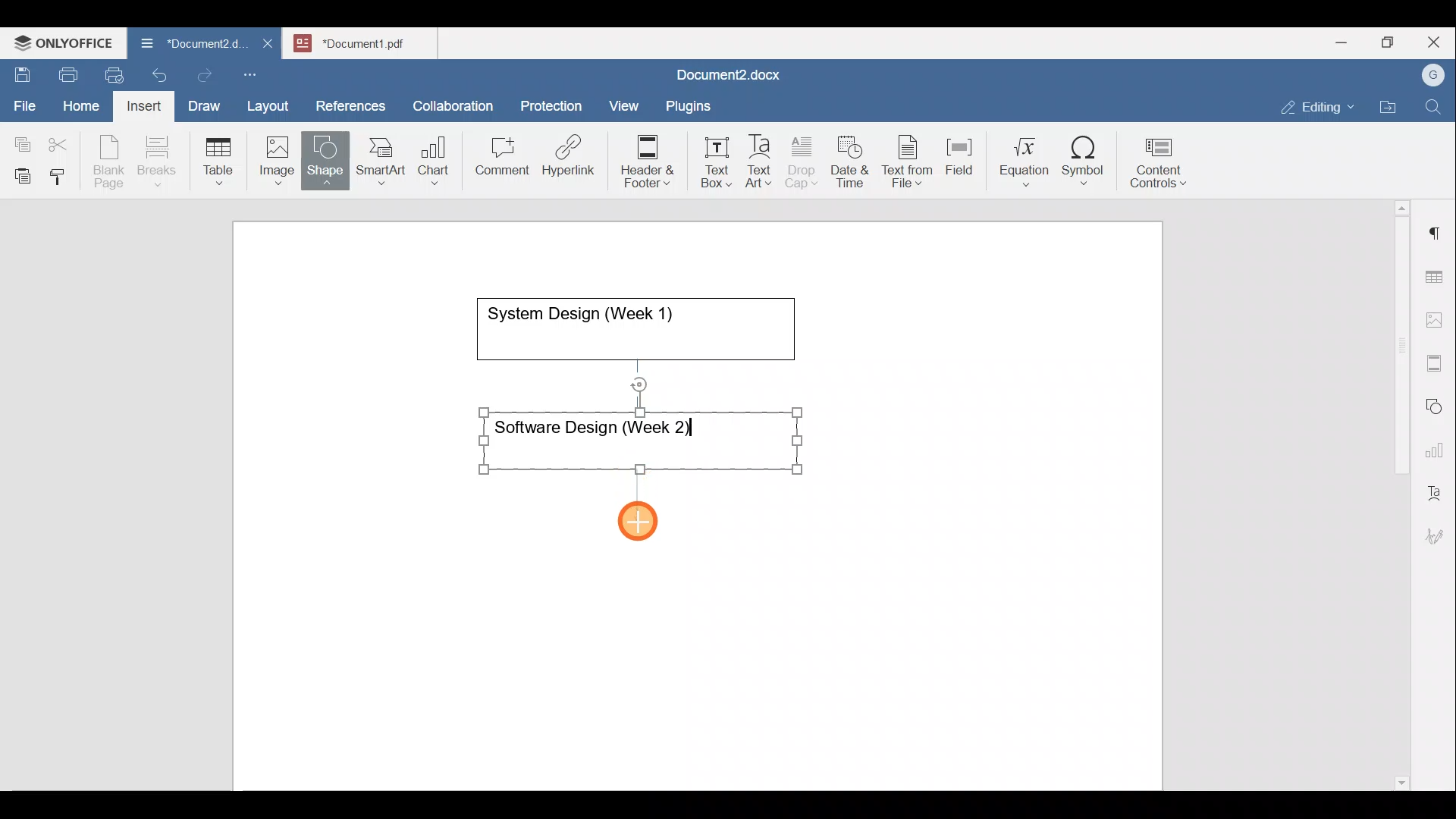 This screenshot has height=819, width=1456. What do you see at coordinates (63, 173) in the screenshot?
I see `Copy style` at bounding box center [63, 173].